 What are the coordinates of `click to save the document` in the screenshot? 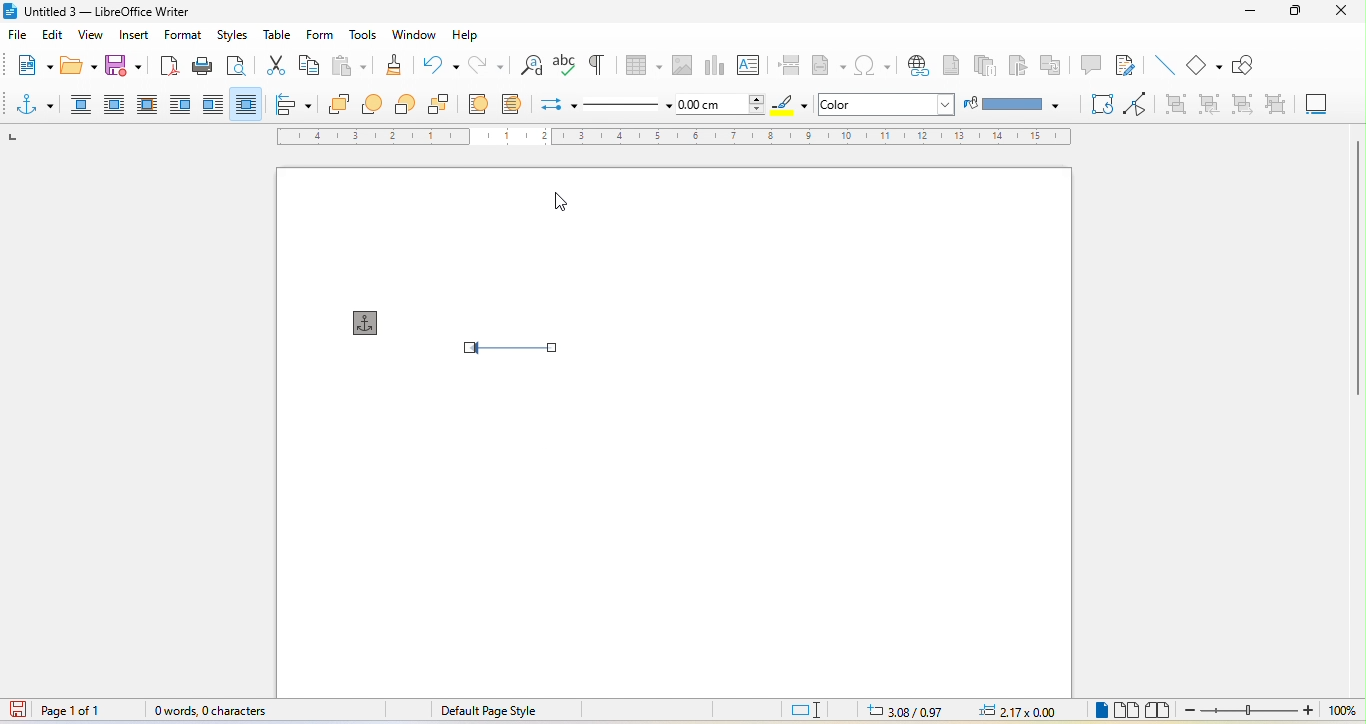 It's located at (19, 712).